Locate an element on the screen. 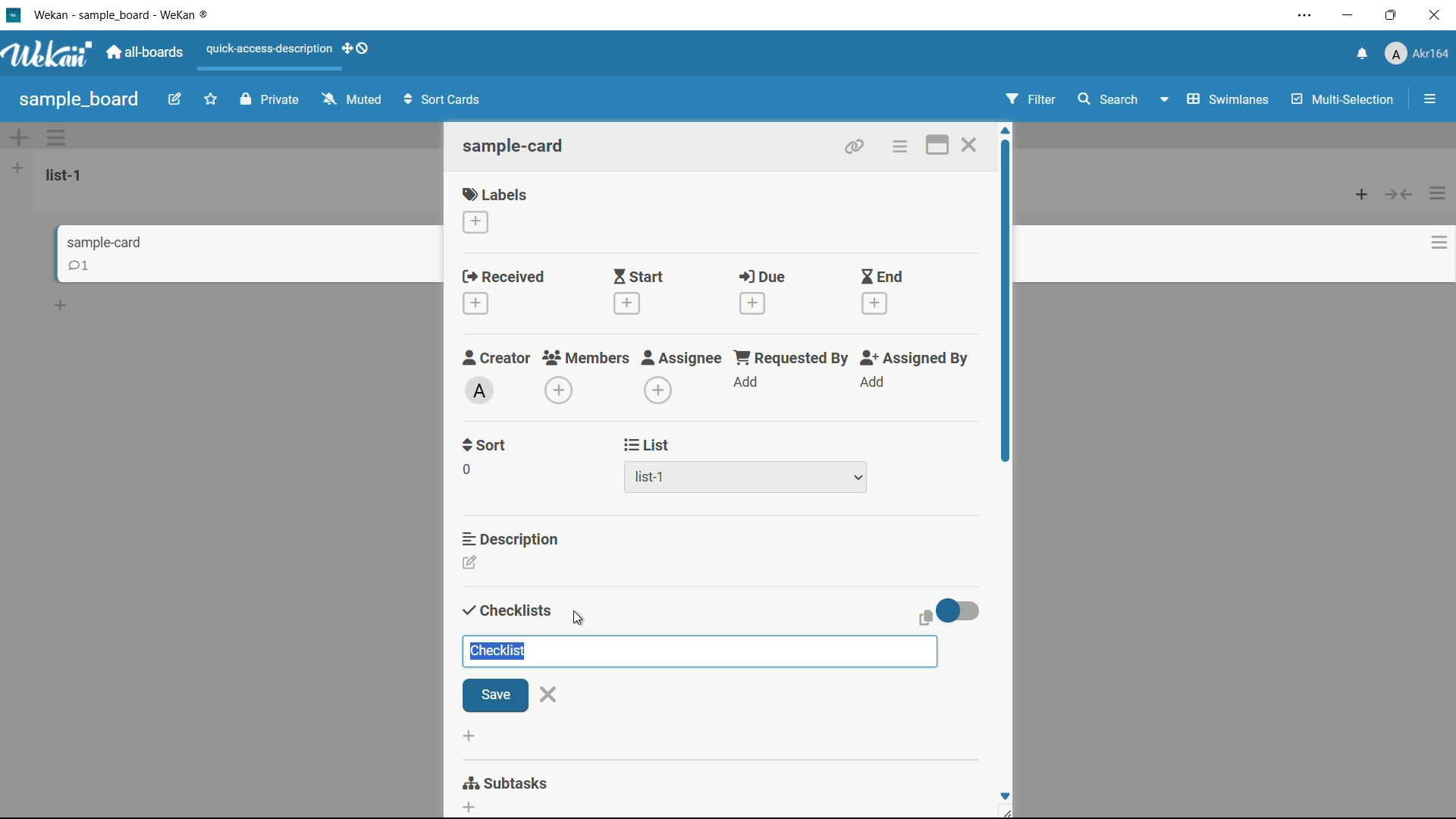 The height and width of the screenshot is (819, 1456). add member is located at coordinates (561, 391).